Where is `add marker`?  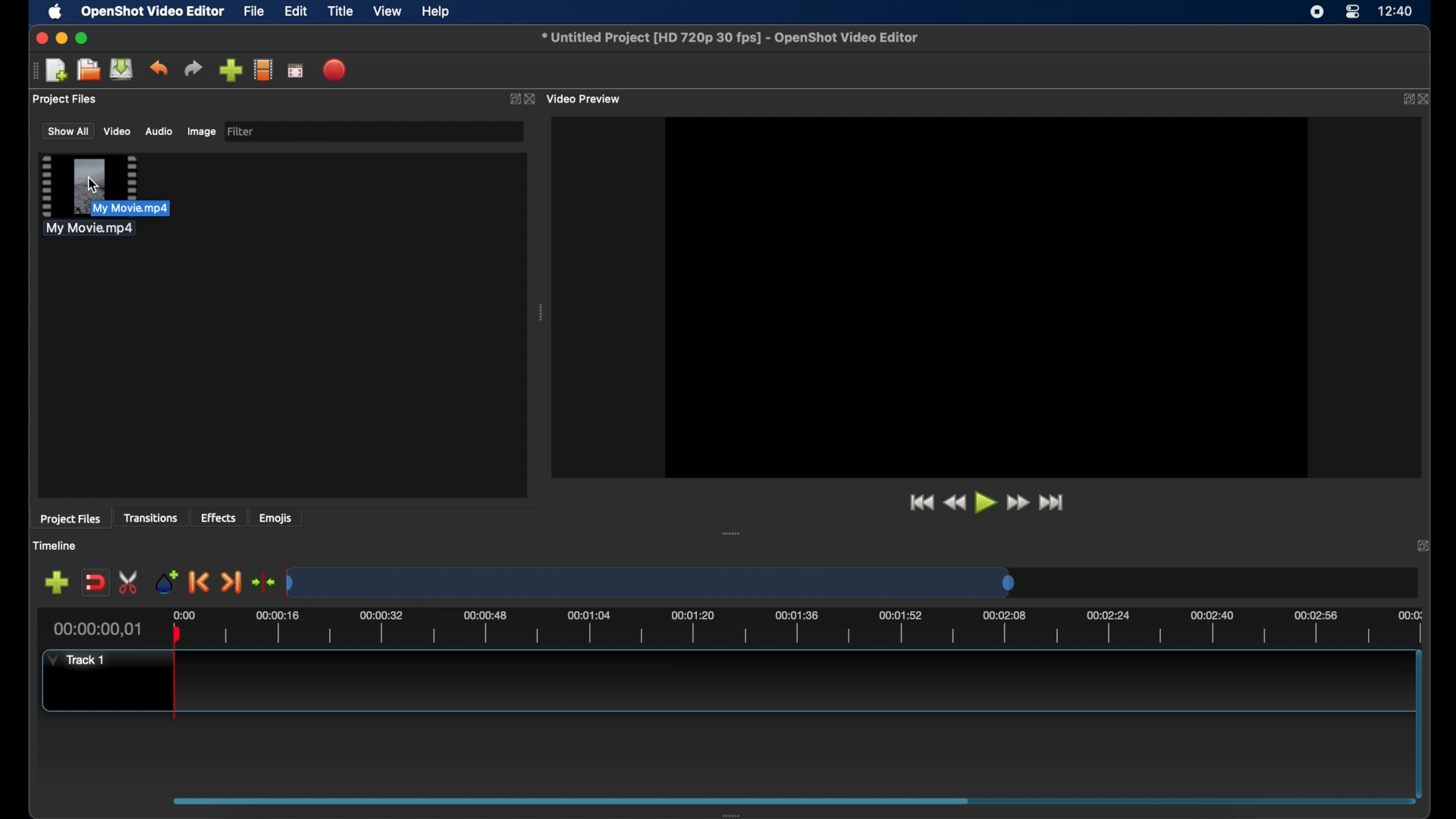 add marker is located at coordinates (165, 581).